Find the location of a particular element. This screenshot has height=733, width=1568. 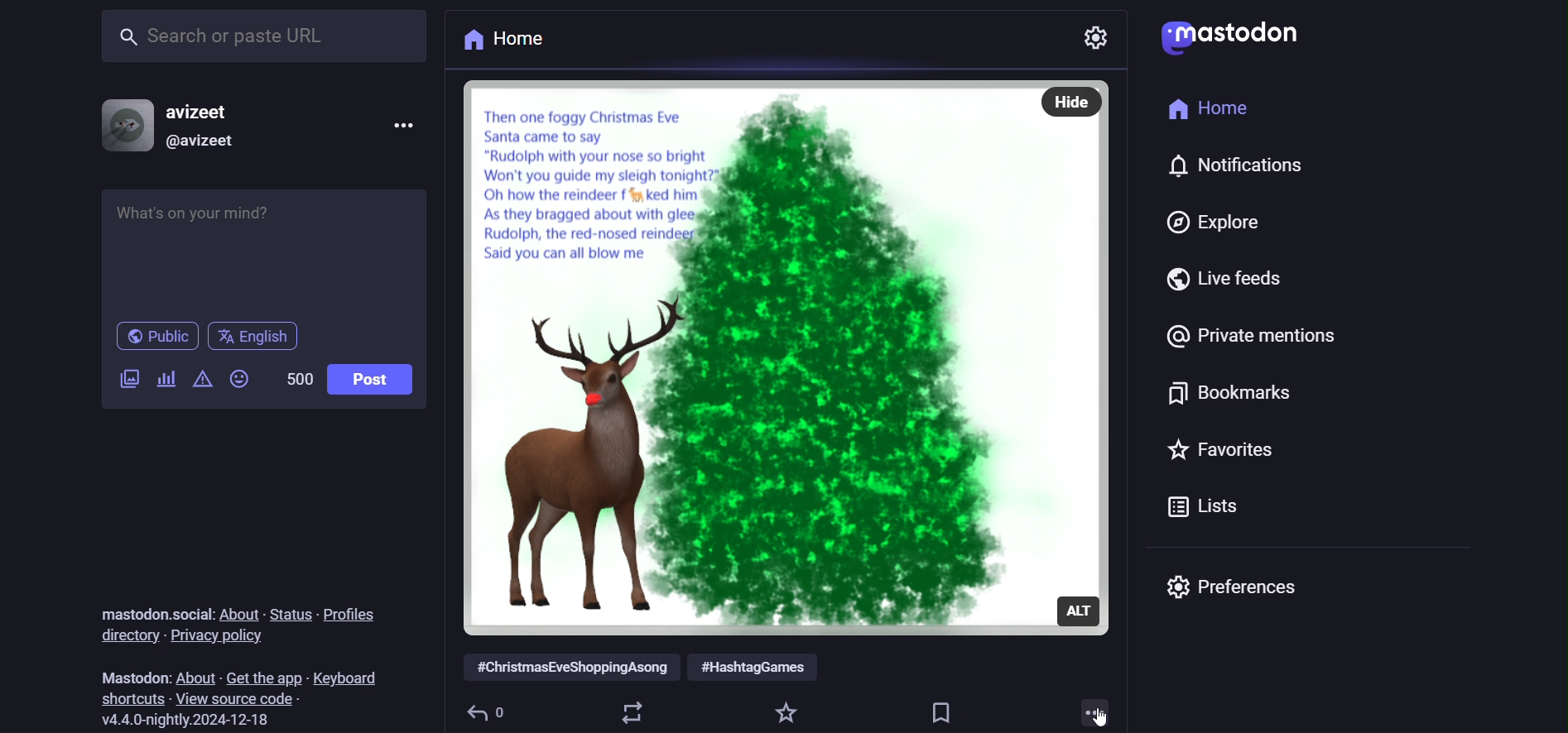

about is located at coordinates (238, 611).